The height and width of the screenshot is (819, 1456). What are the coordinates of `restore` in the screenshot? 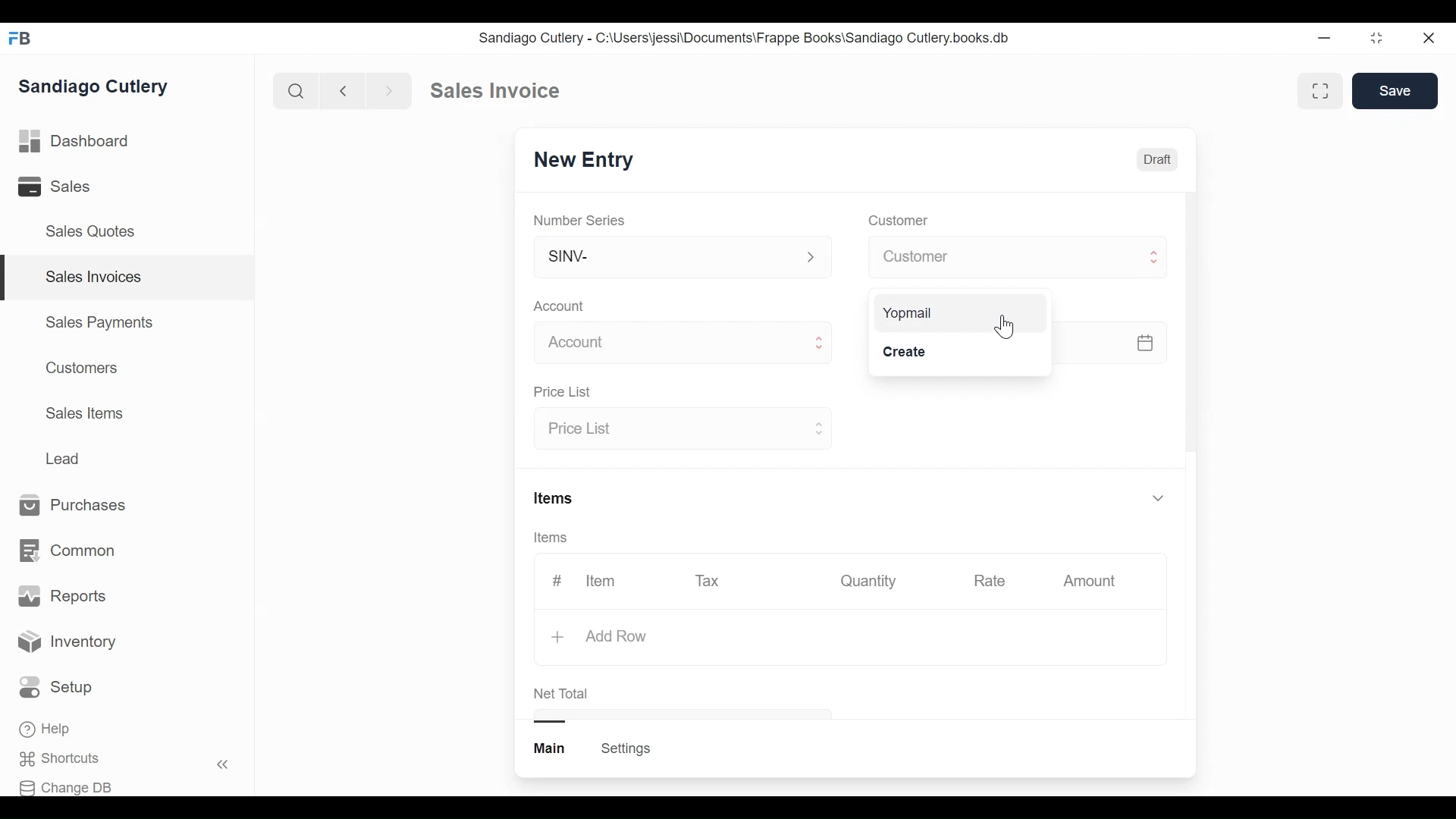 It's located at (1376, 37).